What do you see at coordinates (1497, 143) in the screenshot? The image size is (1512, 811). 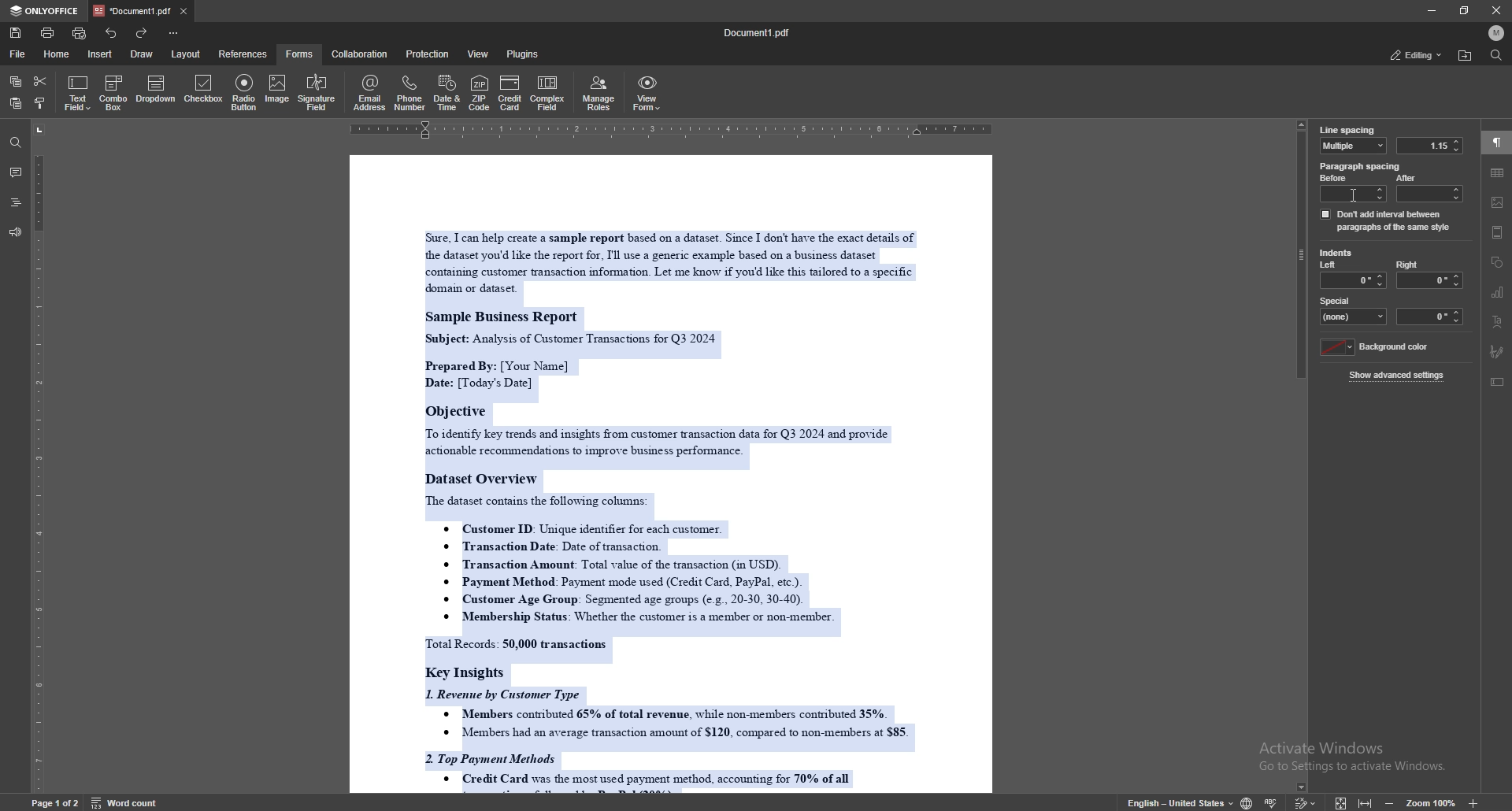 I see `paragraph` at bounding box center [1497, 143].